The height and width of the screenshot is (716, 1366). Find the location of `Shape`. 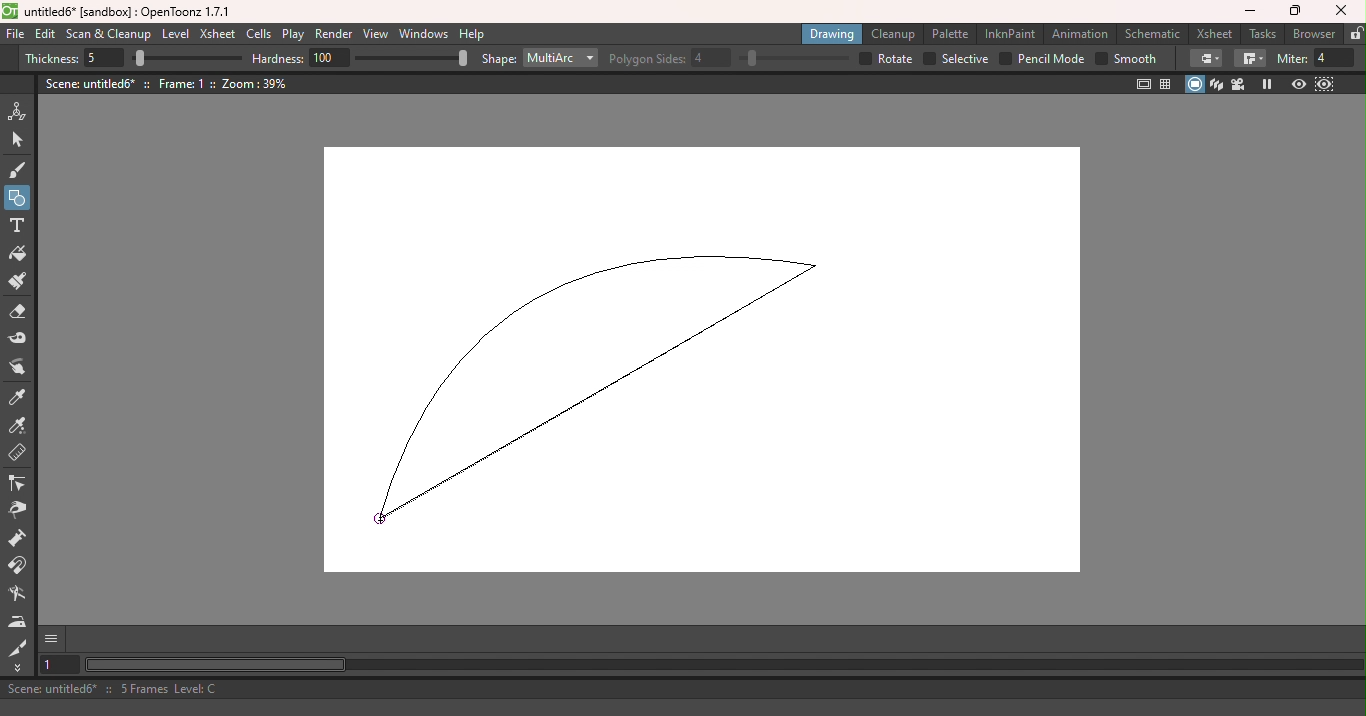

Shape is located at coordinates (497, 60).